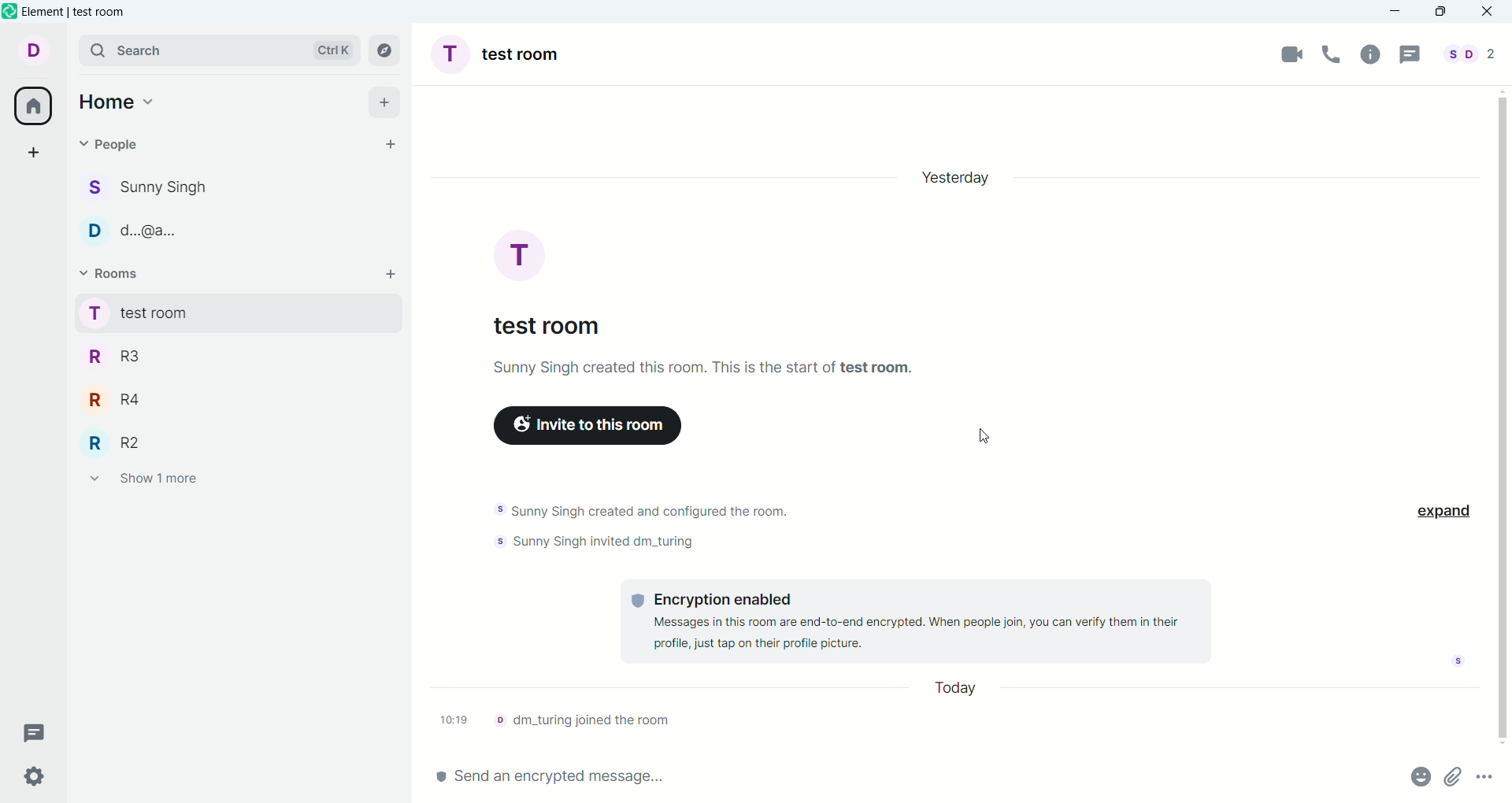  Describe the element at coordinates (235, 314) in the screenshot. I see `test room` at that location.